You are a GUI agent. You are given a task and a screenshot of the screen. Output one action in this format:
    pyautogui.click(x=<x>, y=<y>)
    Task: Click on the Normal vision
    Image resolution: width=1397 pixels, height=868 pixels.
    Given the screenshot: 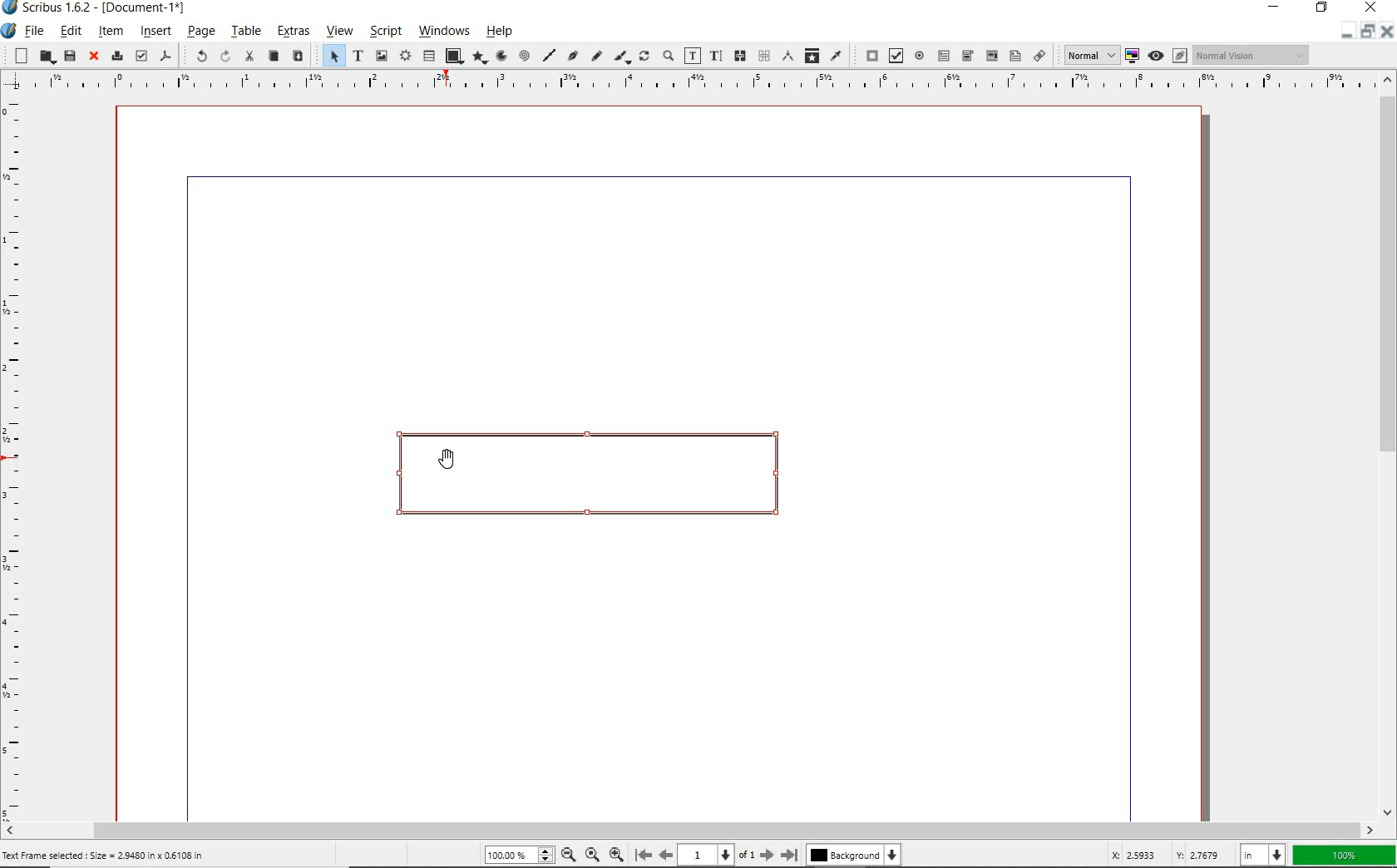 What is the action you would take?
    pyautogui.click(x=1251, y=56)
    